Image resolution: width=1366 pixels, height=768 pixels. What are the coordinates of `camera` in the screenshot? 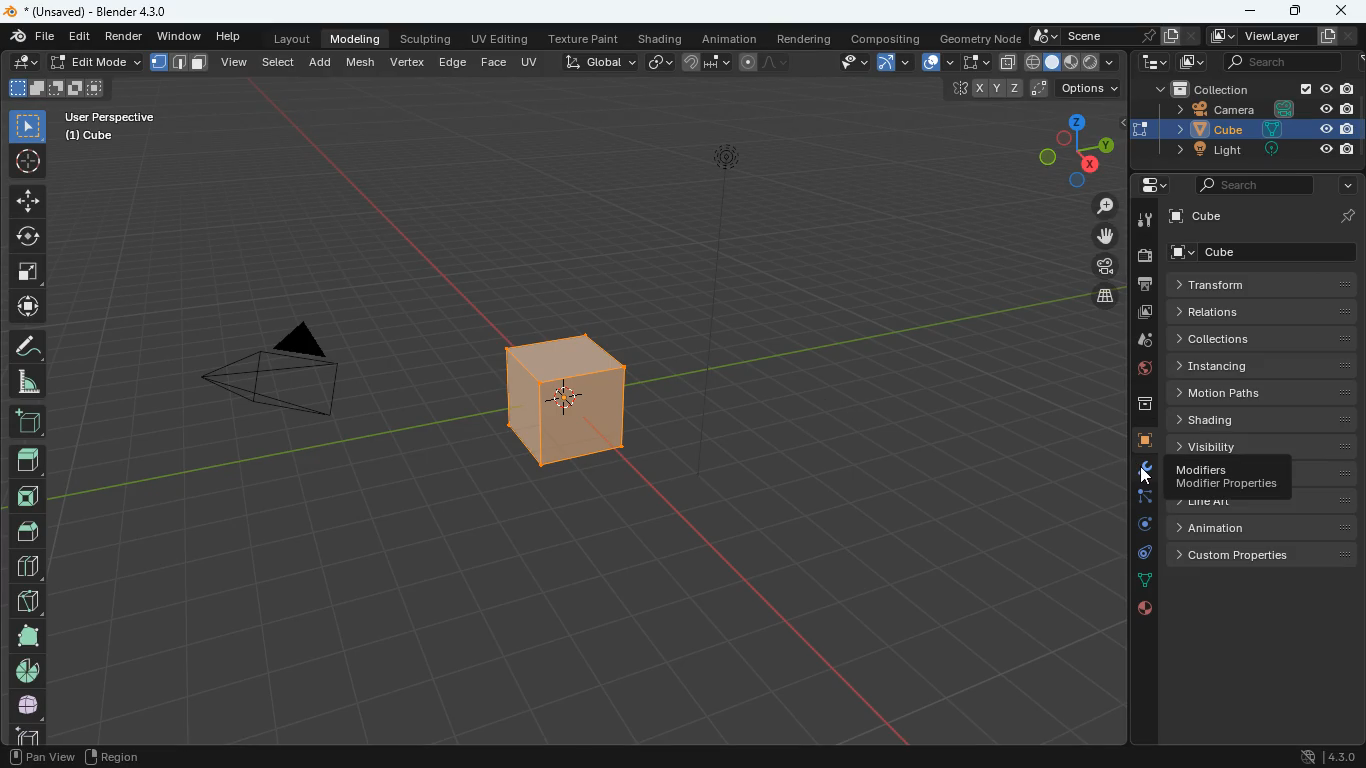 It's located at (1142, 255).